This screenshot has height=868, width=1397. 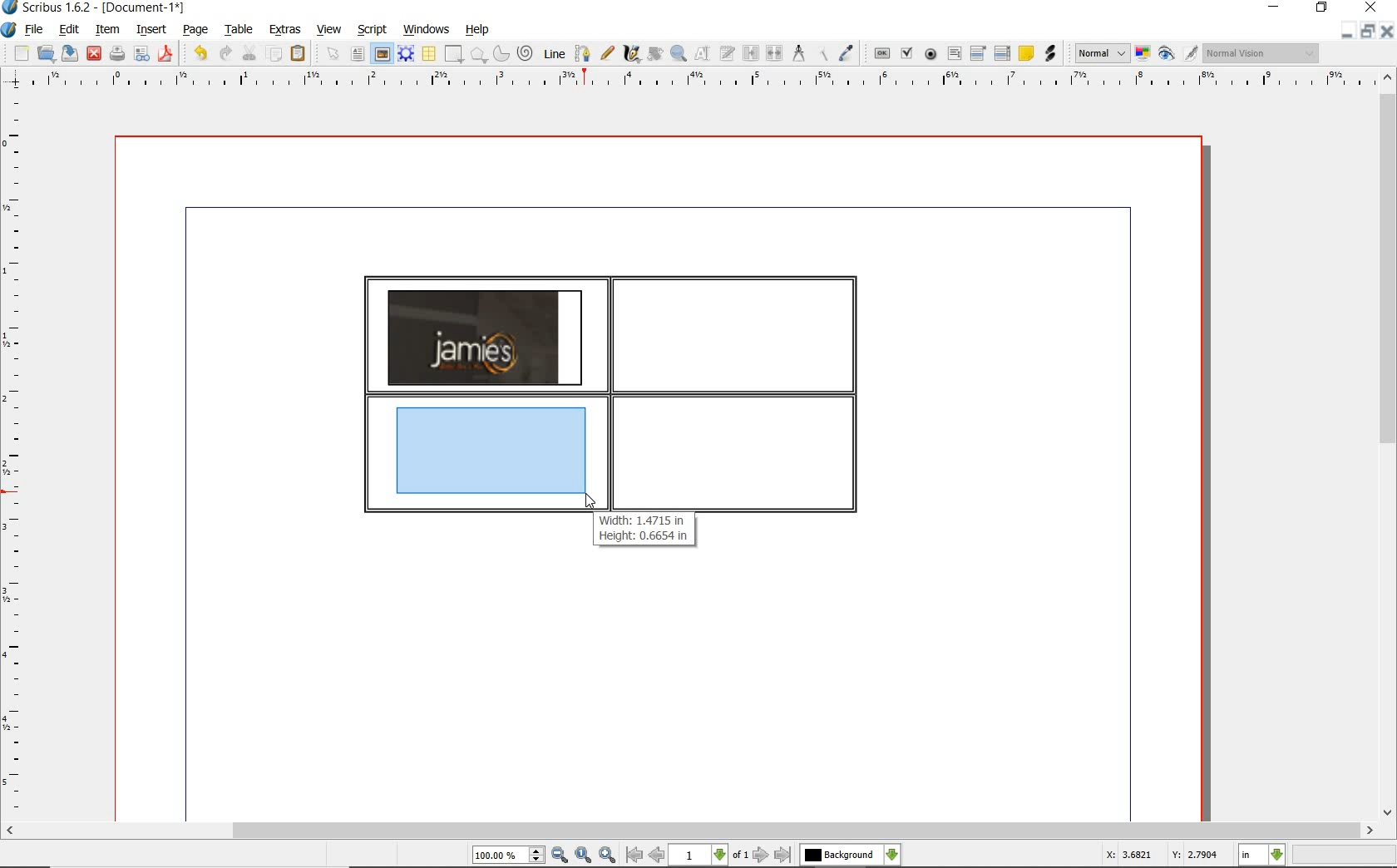 What do you see at coordinates (336, 57) in the screenshot?
I see `select` at bounding box center [336, 57].